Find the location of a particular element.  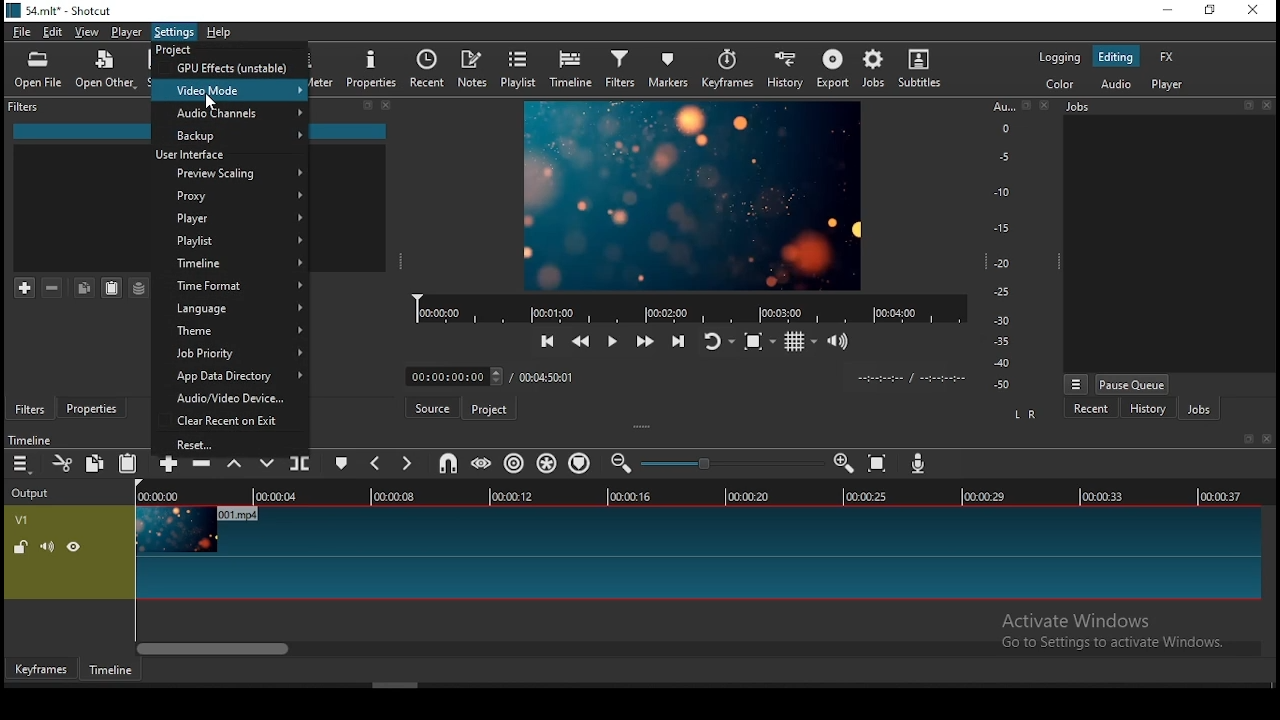

close window is located at coordinates (1252, 11).